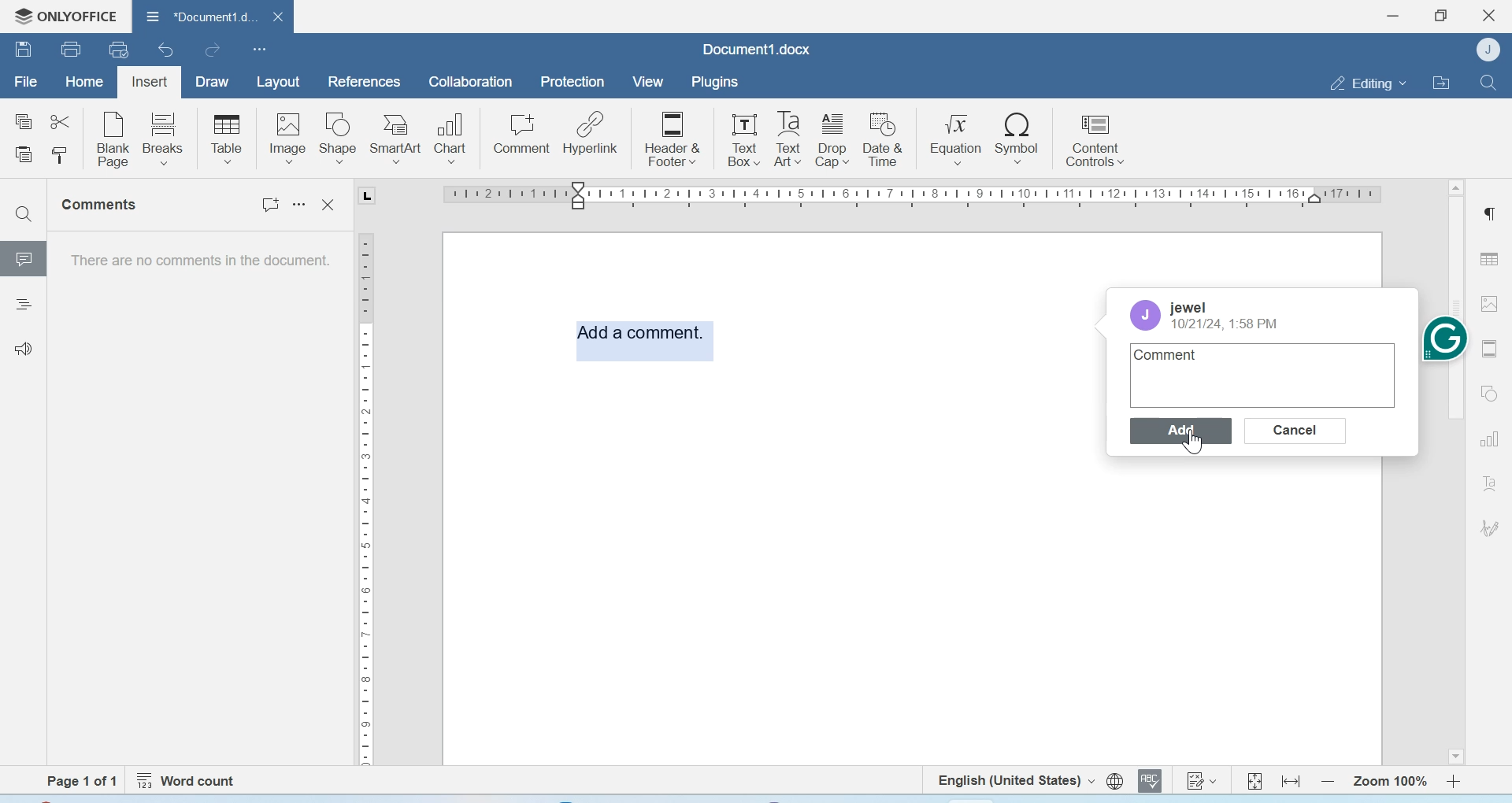 This screenshot has height=803, width=1512. Describe the element at coordinates (265, 207) in the screenshot. I see `Comments button` at that location.